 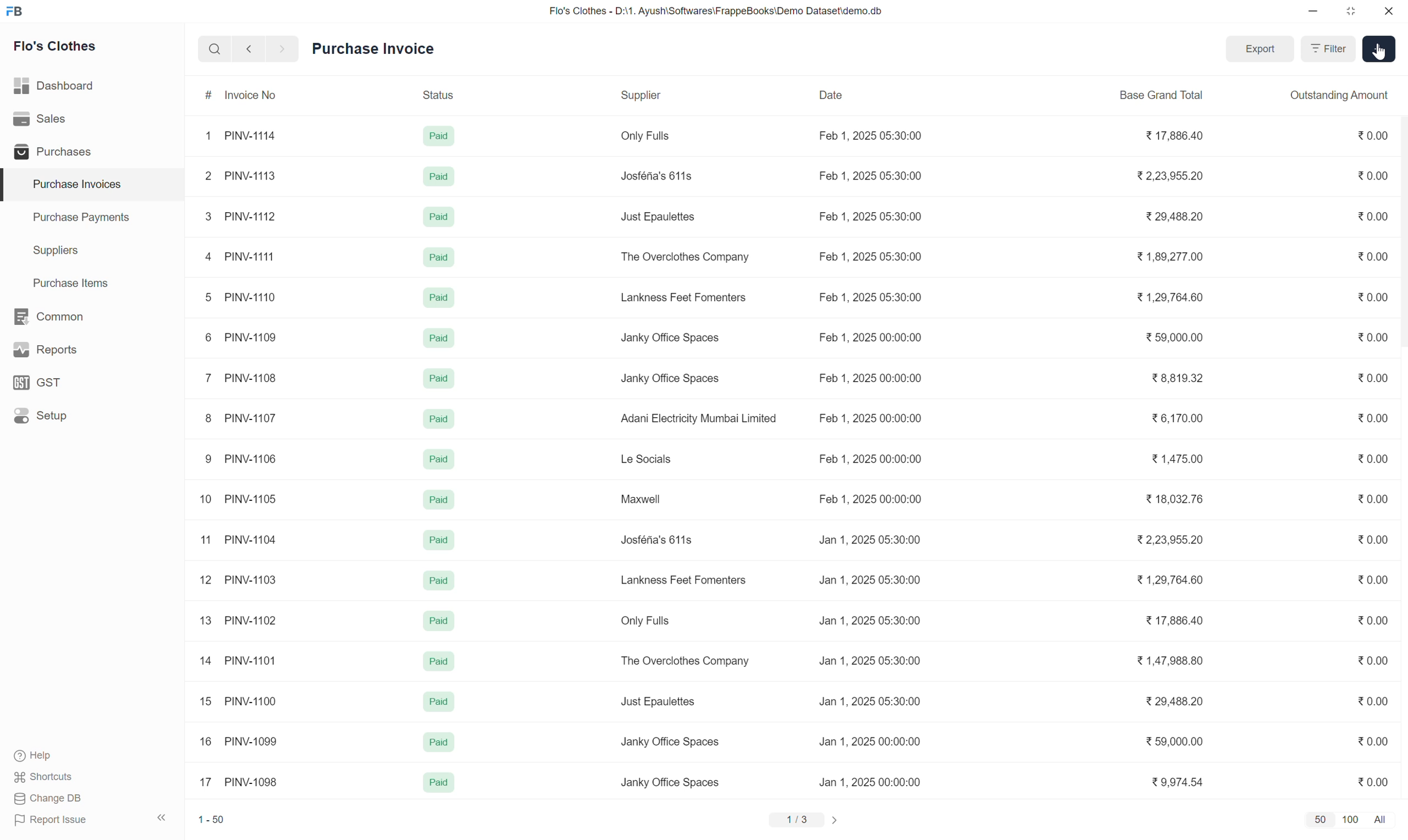 What do you see at coordinates (1372, 661) in the screenshot?
I see `0.00` at bounding box center [1372, 661].